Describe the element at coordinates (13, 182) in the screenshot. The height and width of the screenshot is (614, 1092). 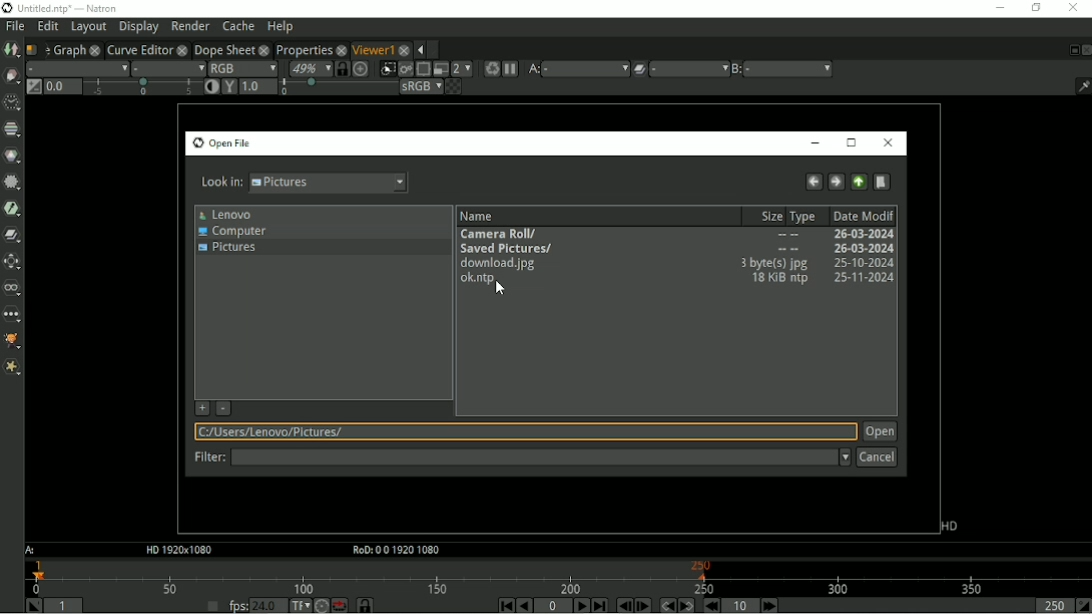
I see `Filter` at that location.